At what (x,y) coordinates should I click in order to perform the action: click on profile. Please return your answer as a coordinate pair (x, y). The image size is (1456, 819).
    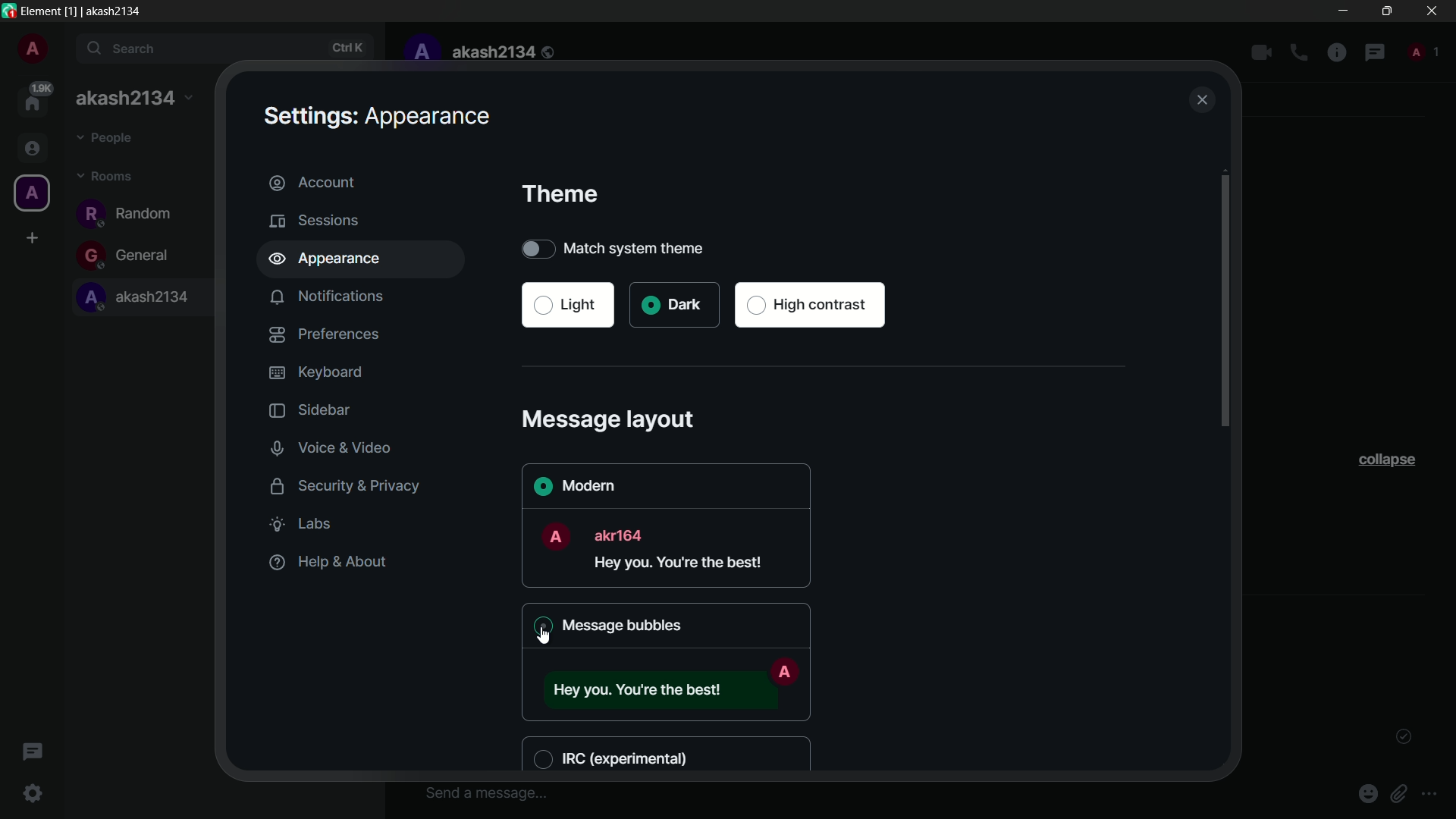
    Looking at the image, I should click on (32, 51).